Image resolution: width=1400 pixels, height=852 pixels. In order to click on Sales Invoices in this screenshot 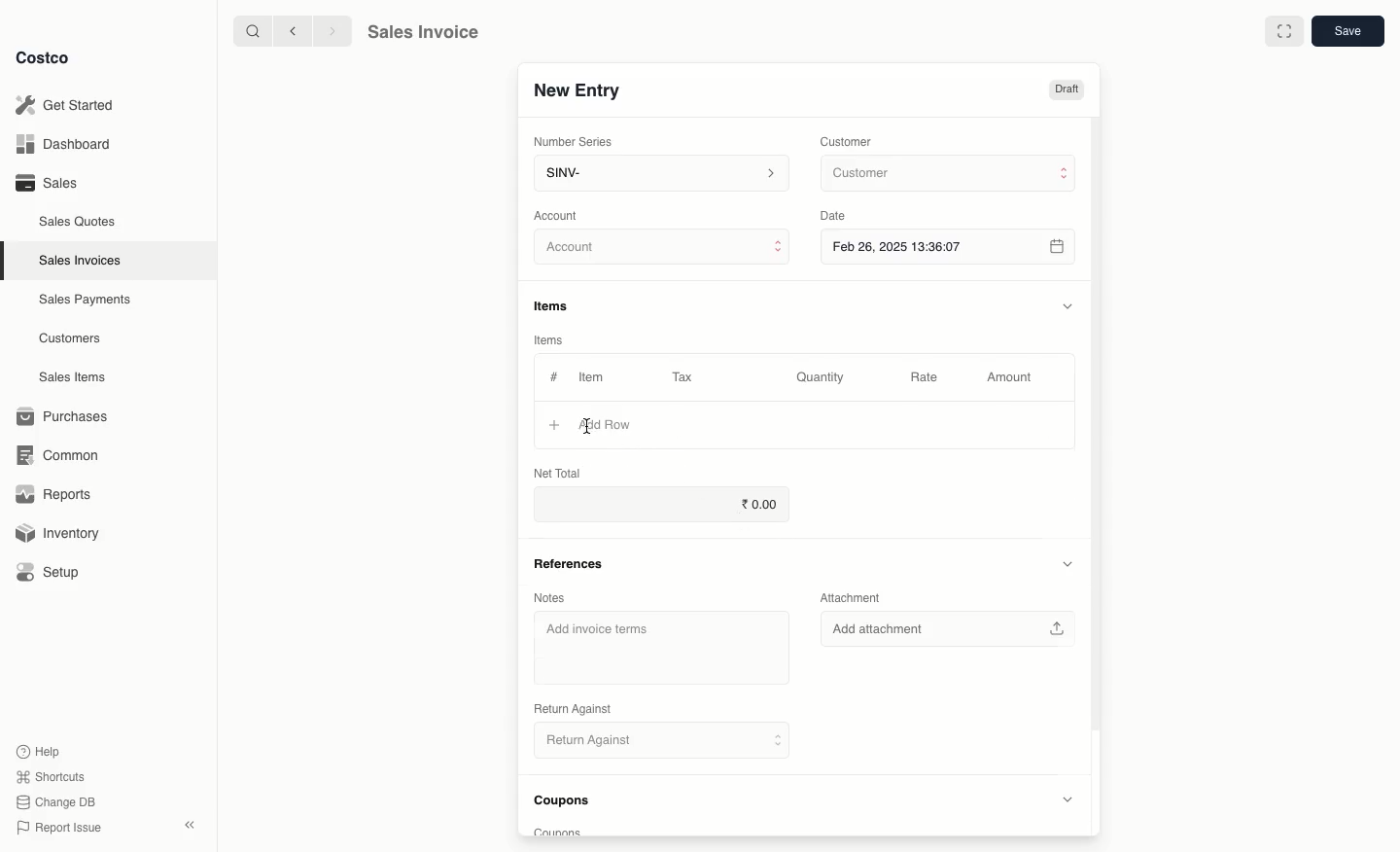, I will do `click(81, 261)`.